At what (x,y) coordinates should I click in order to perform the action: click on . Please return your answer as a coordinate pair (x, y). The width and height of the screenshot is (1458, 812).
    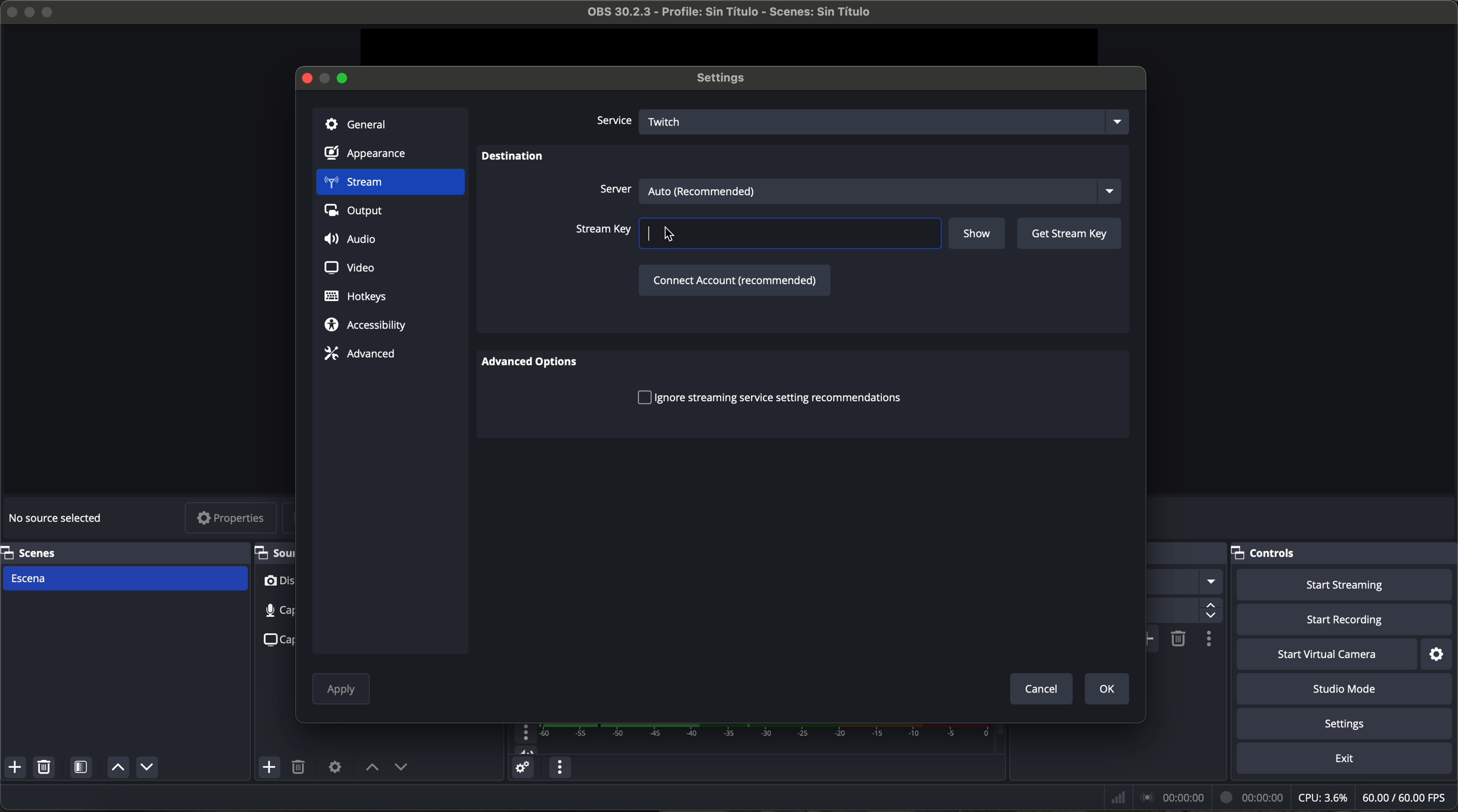
    Looking at the image, I should click on (1187, 553).